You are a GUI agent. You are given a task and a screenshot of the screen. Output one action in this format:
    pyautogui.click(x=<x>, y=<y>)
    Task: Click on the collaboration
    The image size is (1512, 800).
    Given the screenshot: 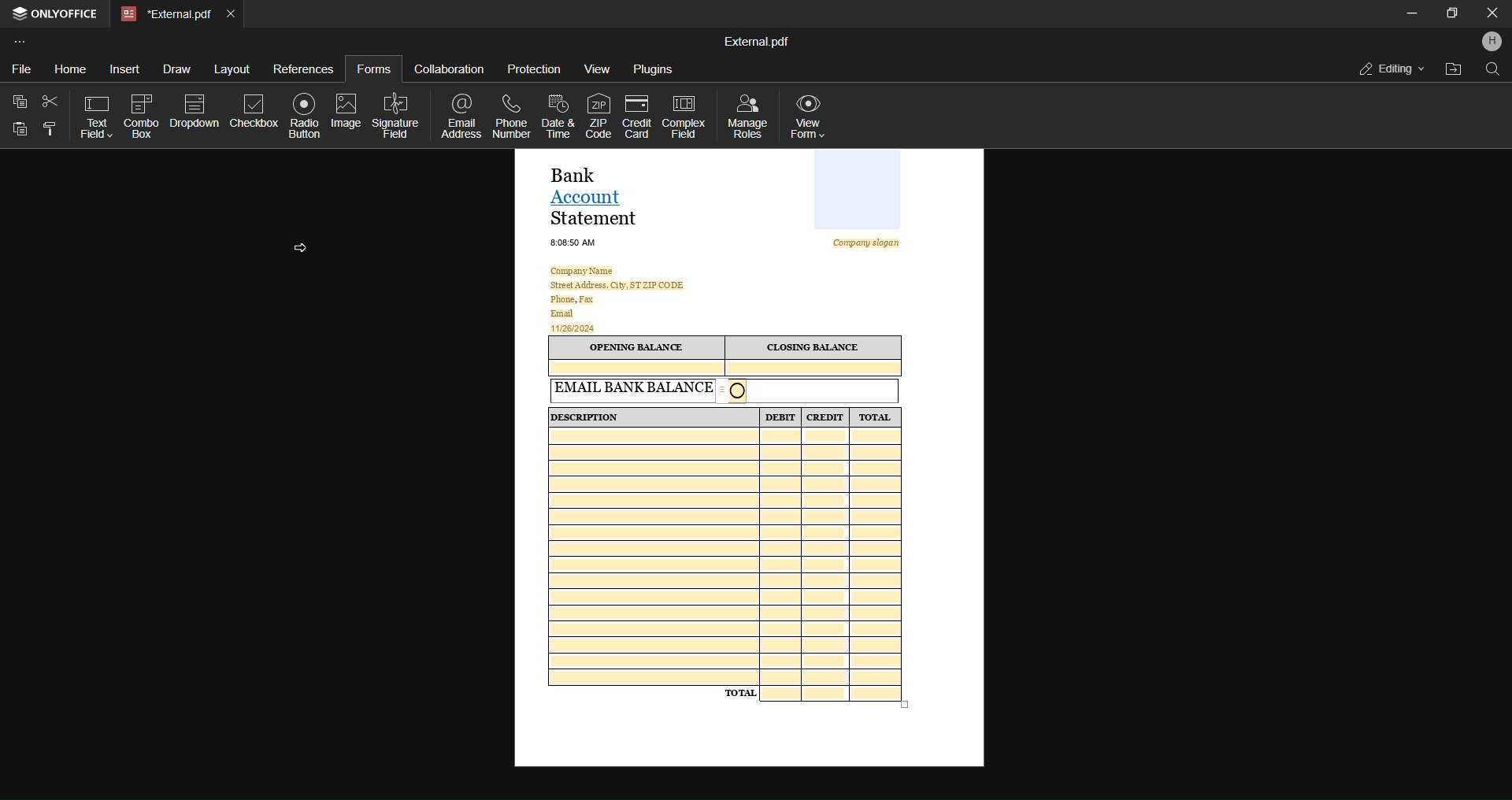 What is the action you would take?
    pyautogui.click(x=451, y=67)
    